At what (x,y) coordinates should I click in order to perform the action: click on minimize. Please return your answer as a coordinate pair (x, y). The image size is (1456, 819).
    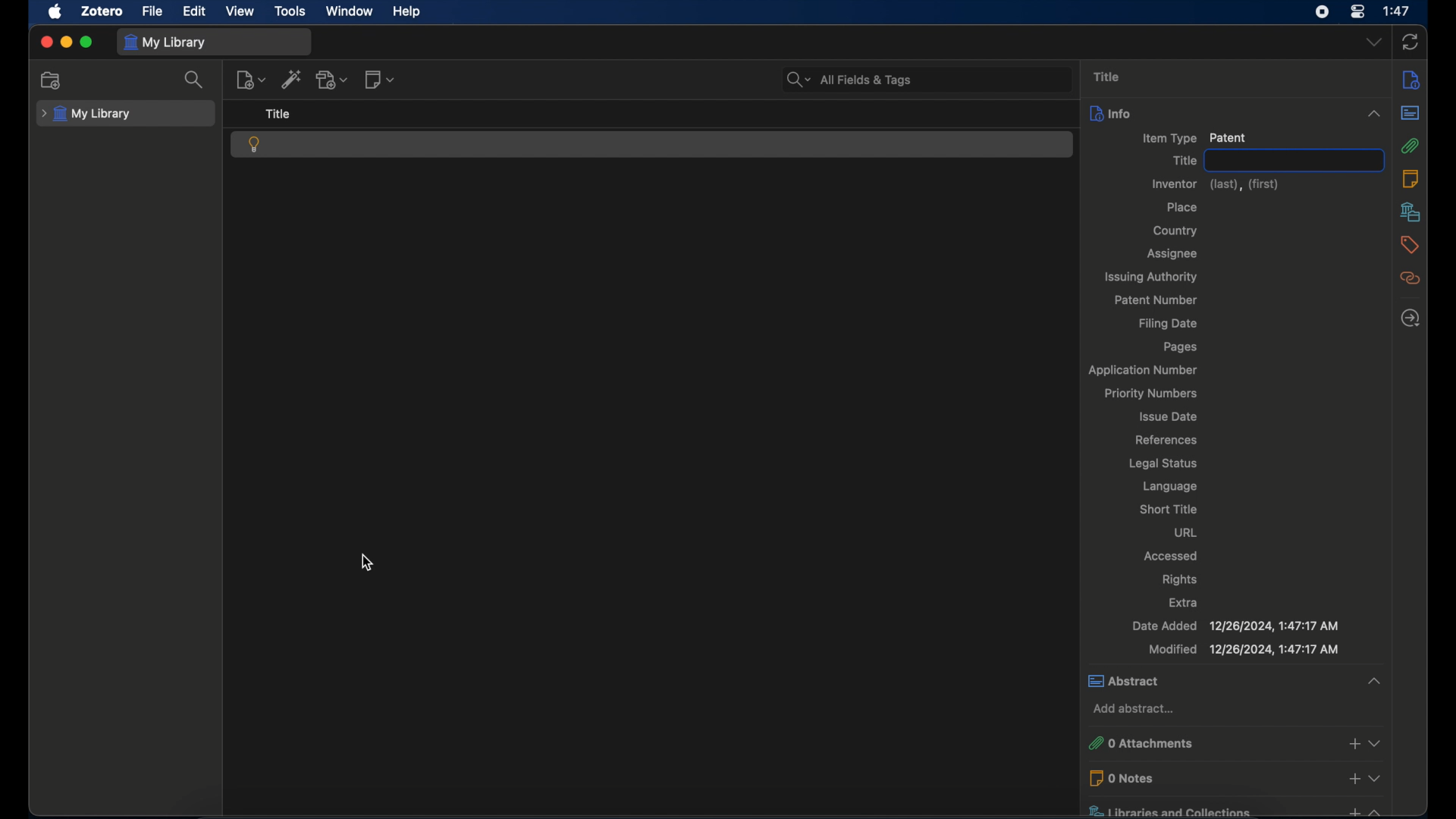
    Looking at the image, I should click on (67, 42).